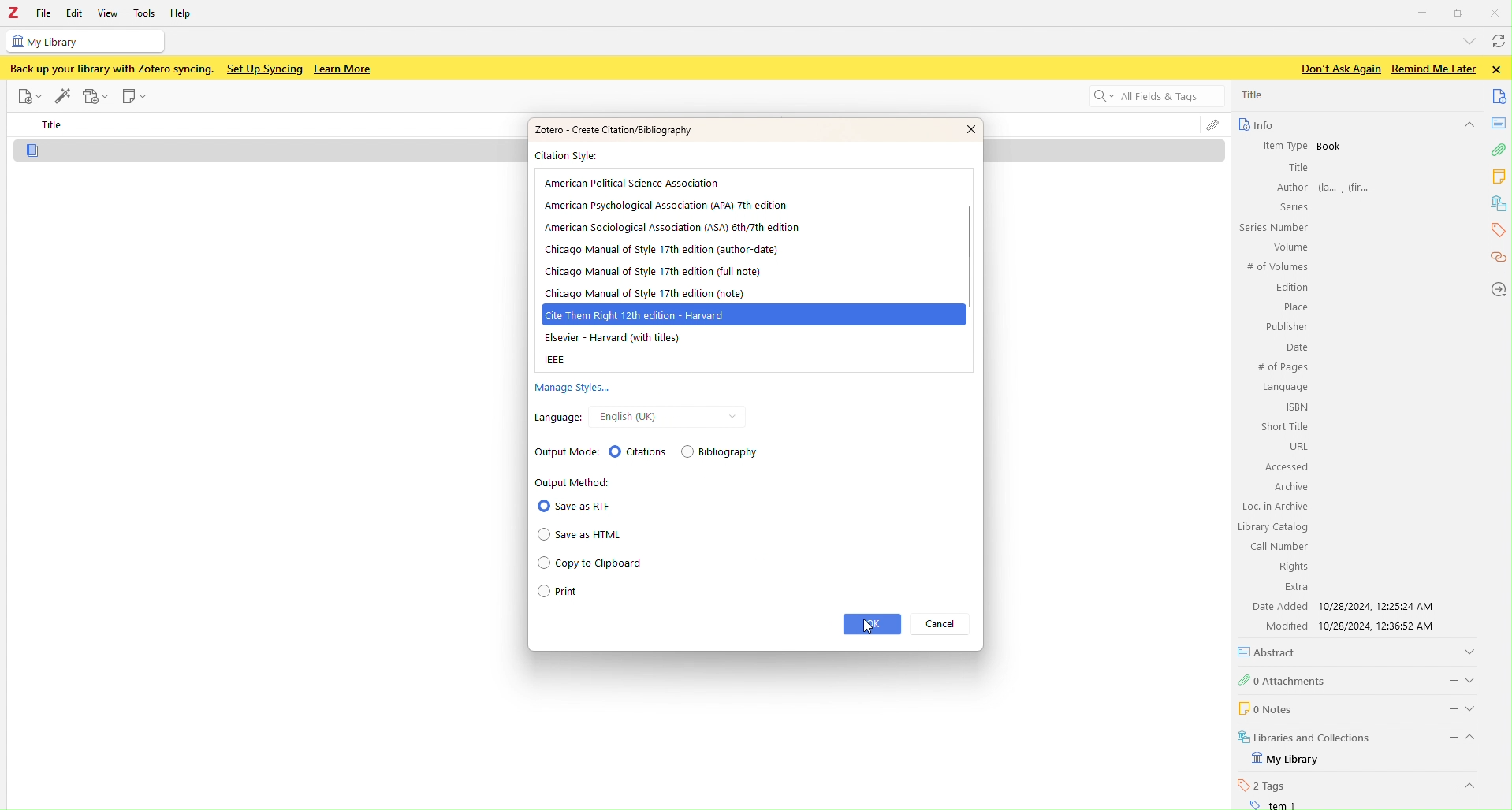  Describe the element at coordinates (1272, 228) in the screenshot. I see `Series Number` at that location.